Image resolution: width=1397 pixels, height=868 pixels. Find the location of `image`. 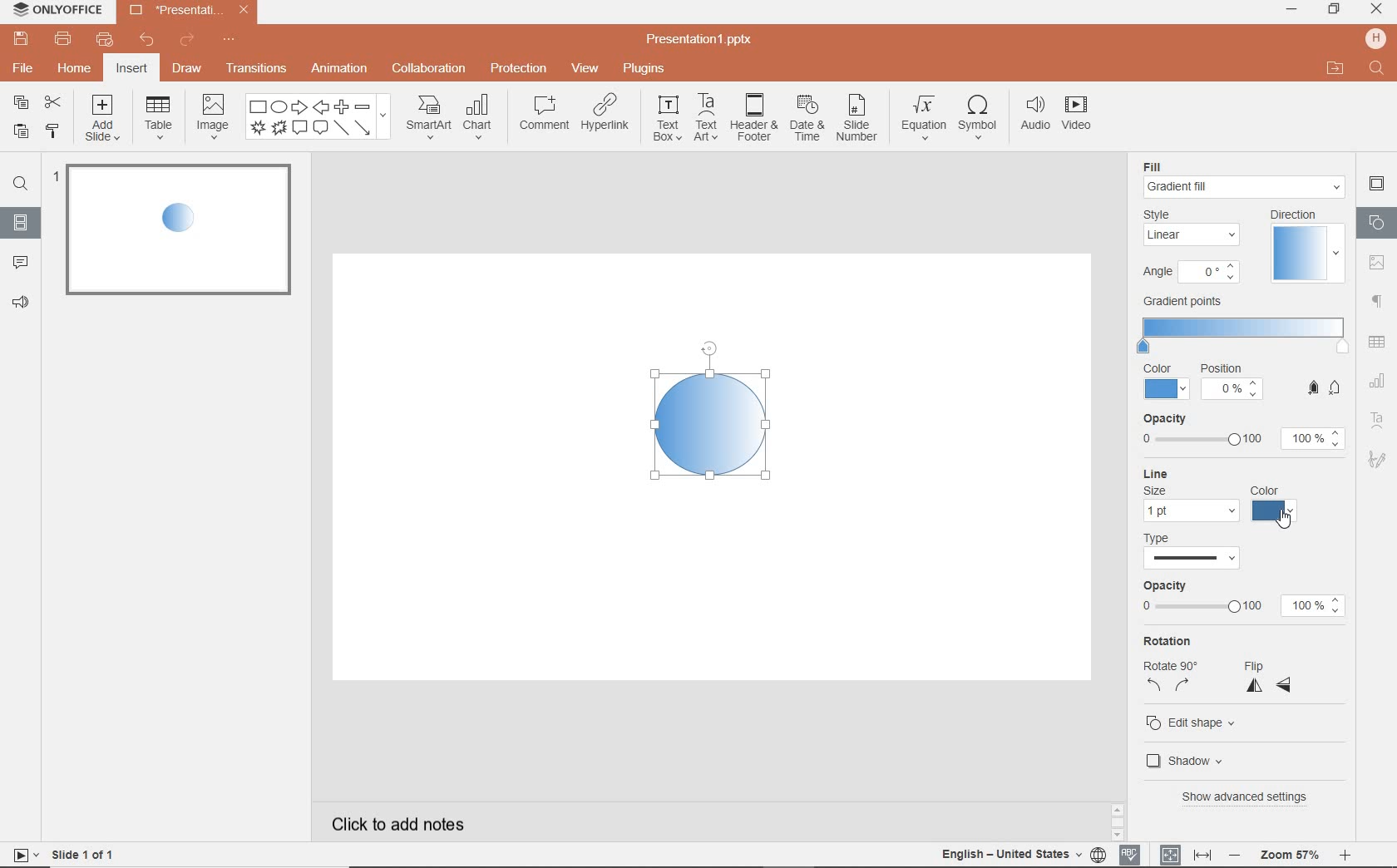

image is located at coordinates (212, 120).